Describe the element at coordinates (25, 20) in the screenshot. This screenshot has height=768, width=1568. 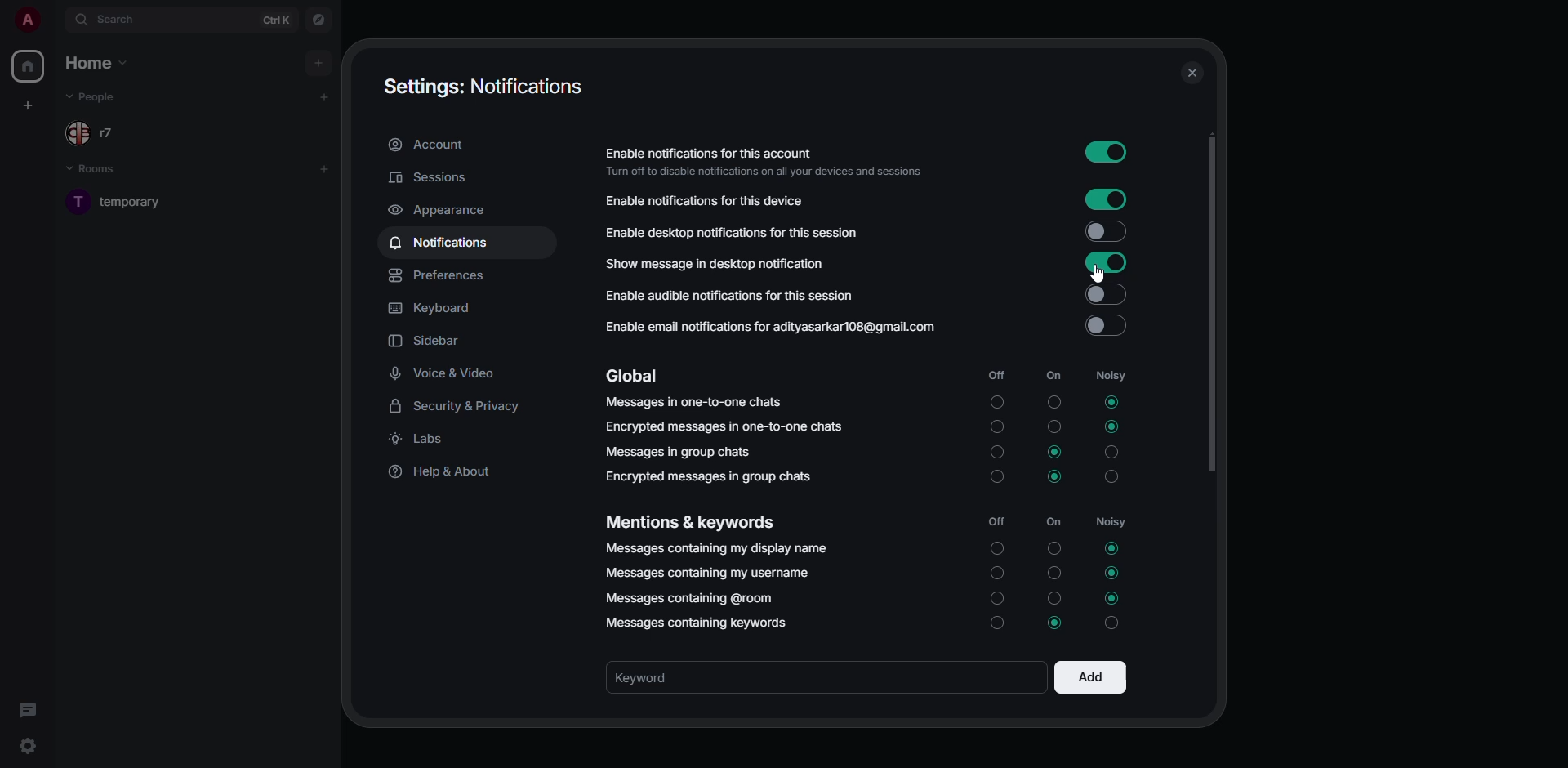
I see `profile` at that location.